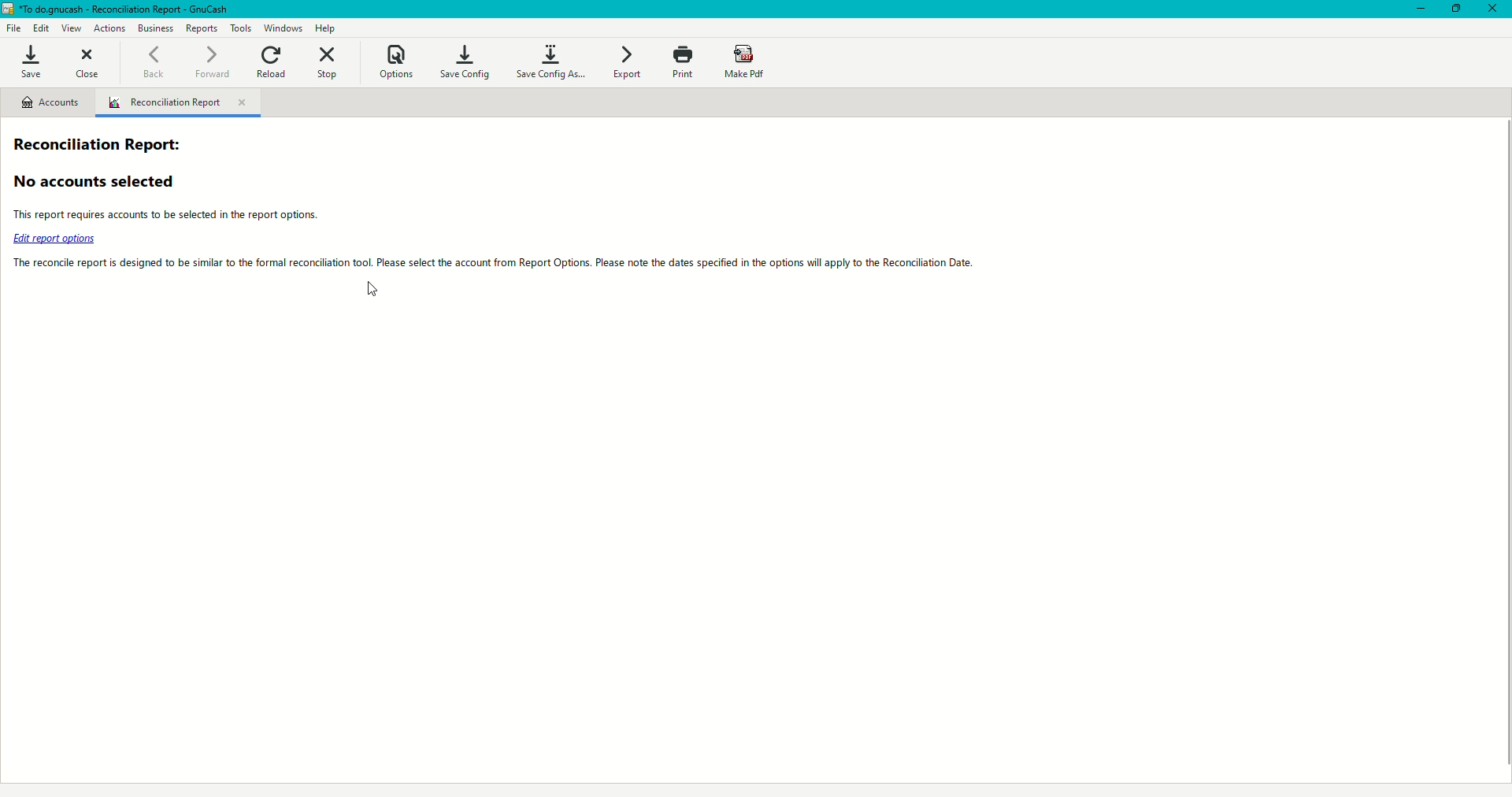  I want to click on View, so click(70, 27).